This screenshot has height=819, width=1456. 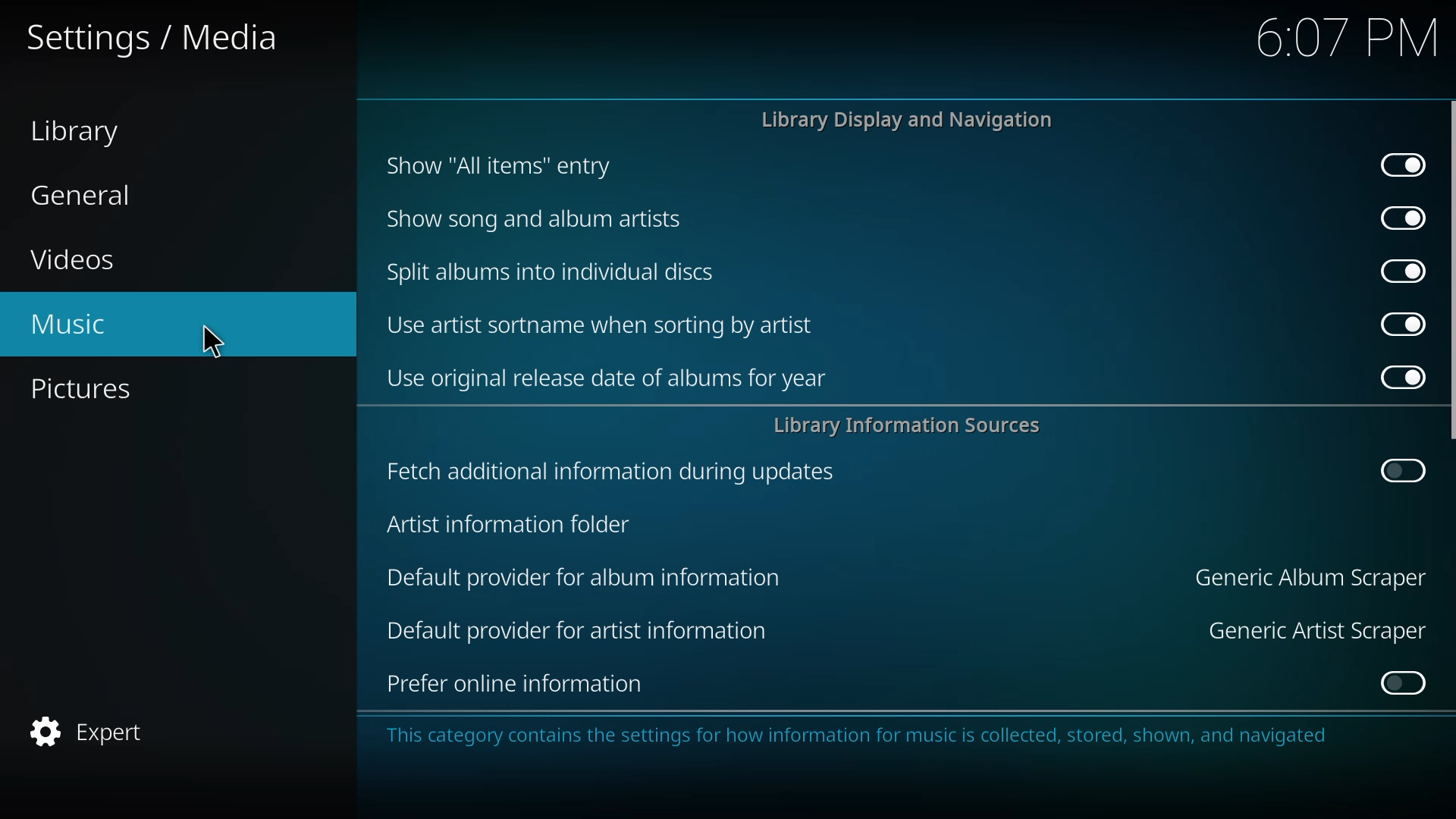 I want to click on music, so click(x=78, y=326).